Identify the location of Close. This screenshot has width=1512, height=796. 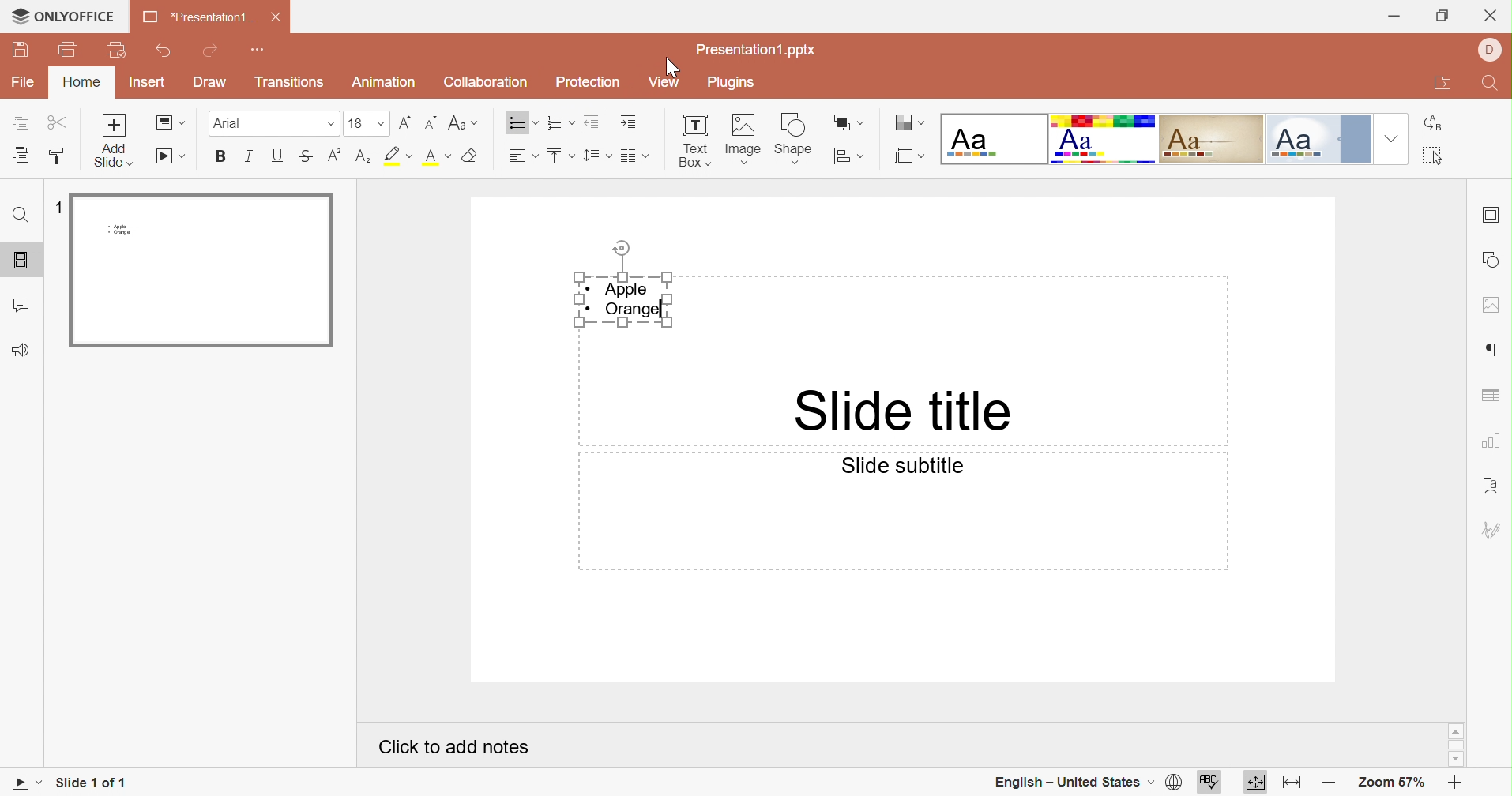
(1491, 14).